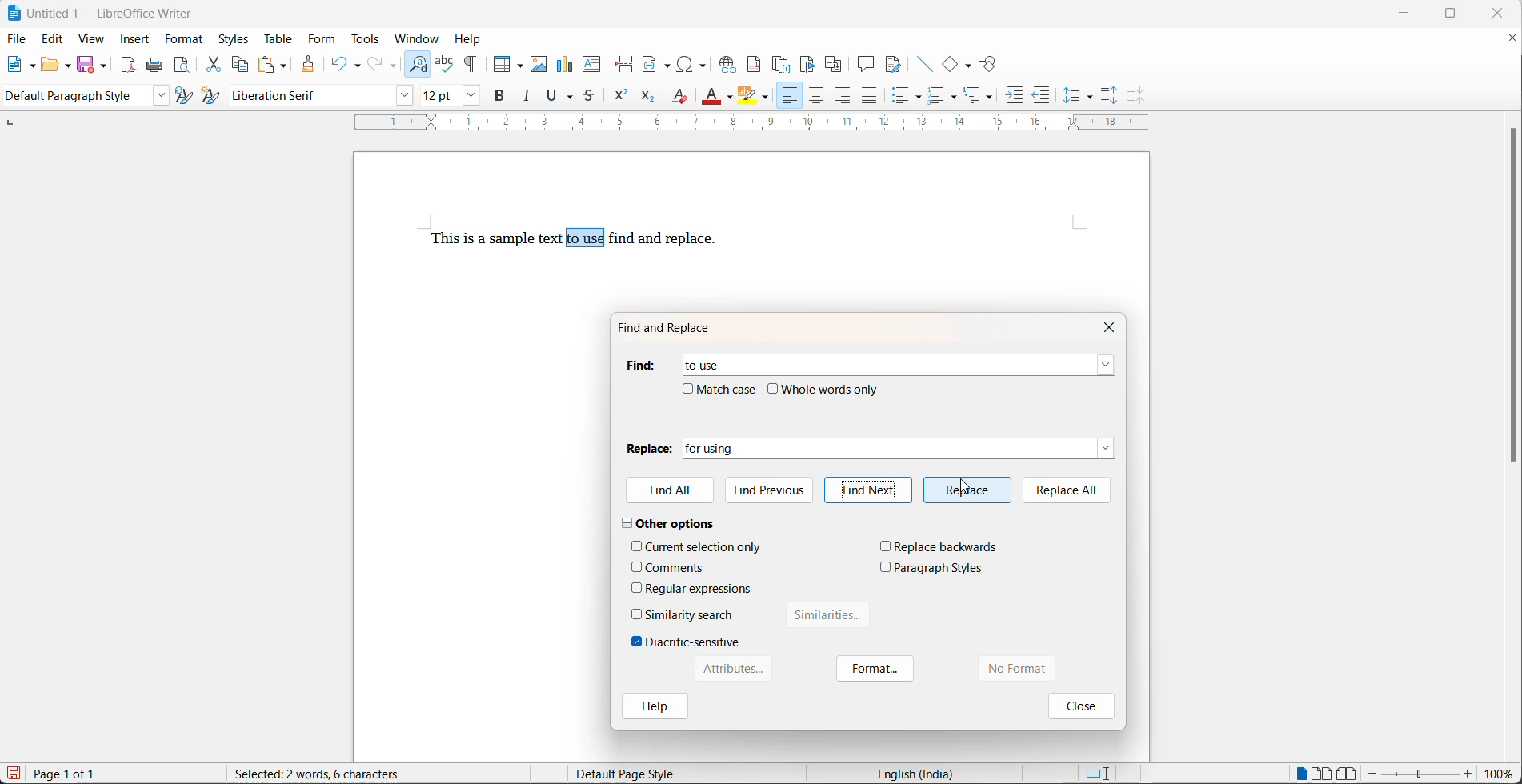 The width and height of the screenshot is (1522, 784). Describe the element at coordinates (157, 96) in the screenshot. I see `style options` at that location.